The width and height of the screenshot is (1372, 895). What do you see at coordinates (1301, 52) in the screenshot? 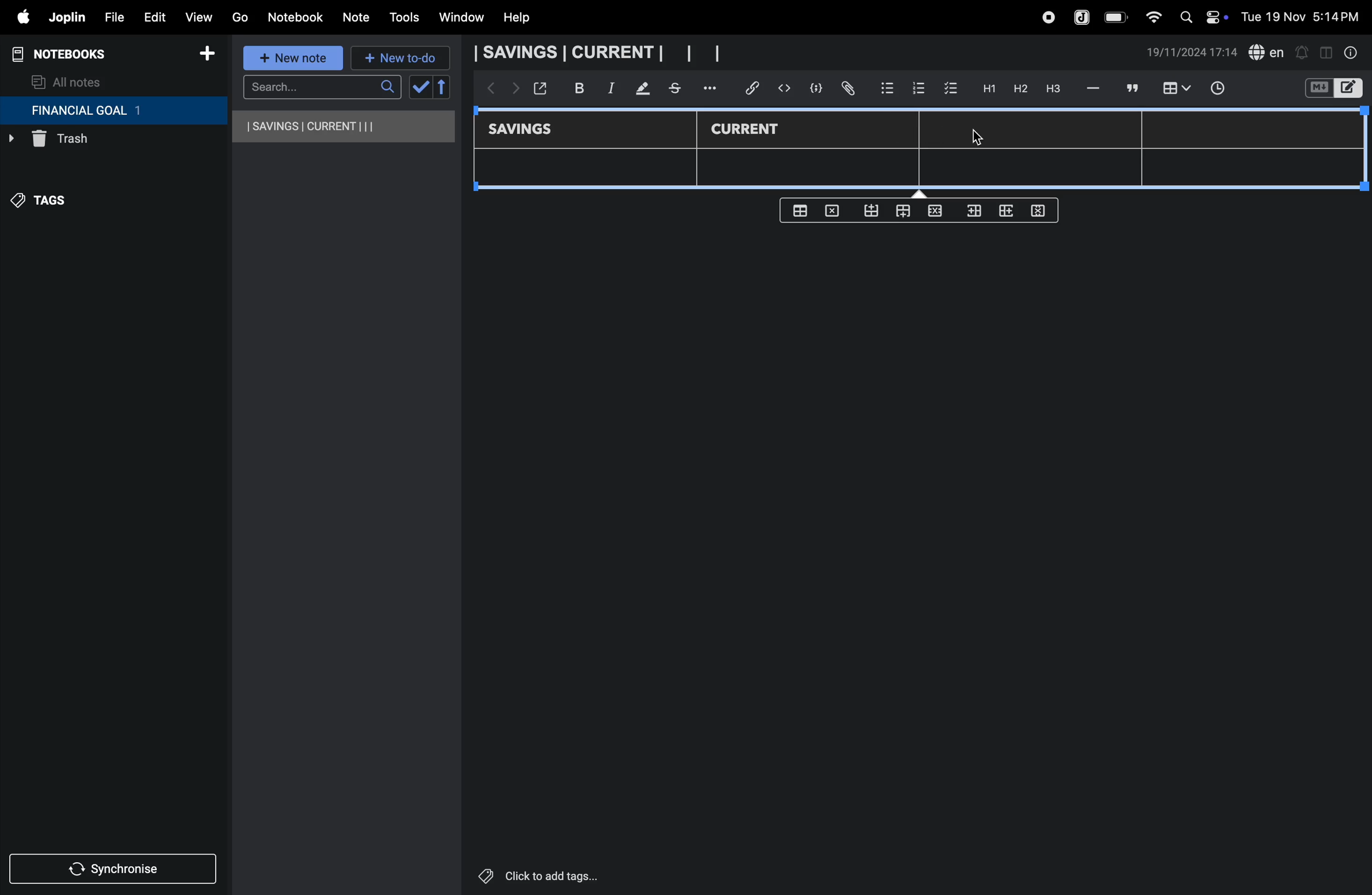
I see `alert` at bounding box center [1301, 52].